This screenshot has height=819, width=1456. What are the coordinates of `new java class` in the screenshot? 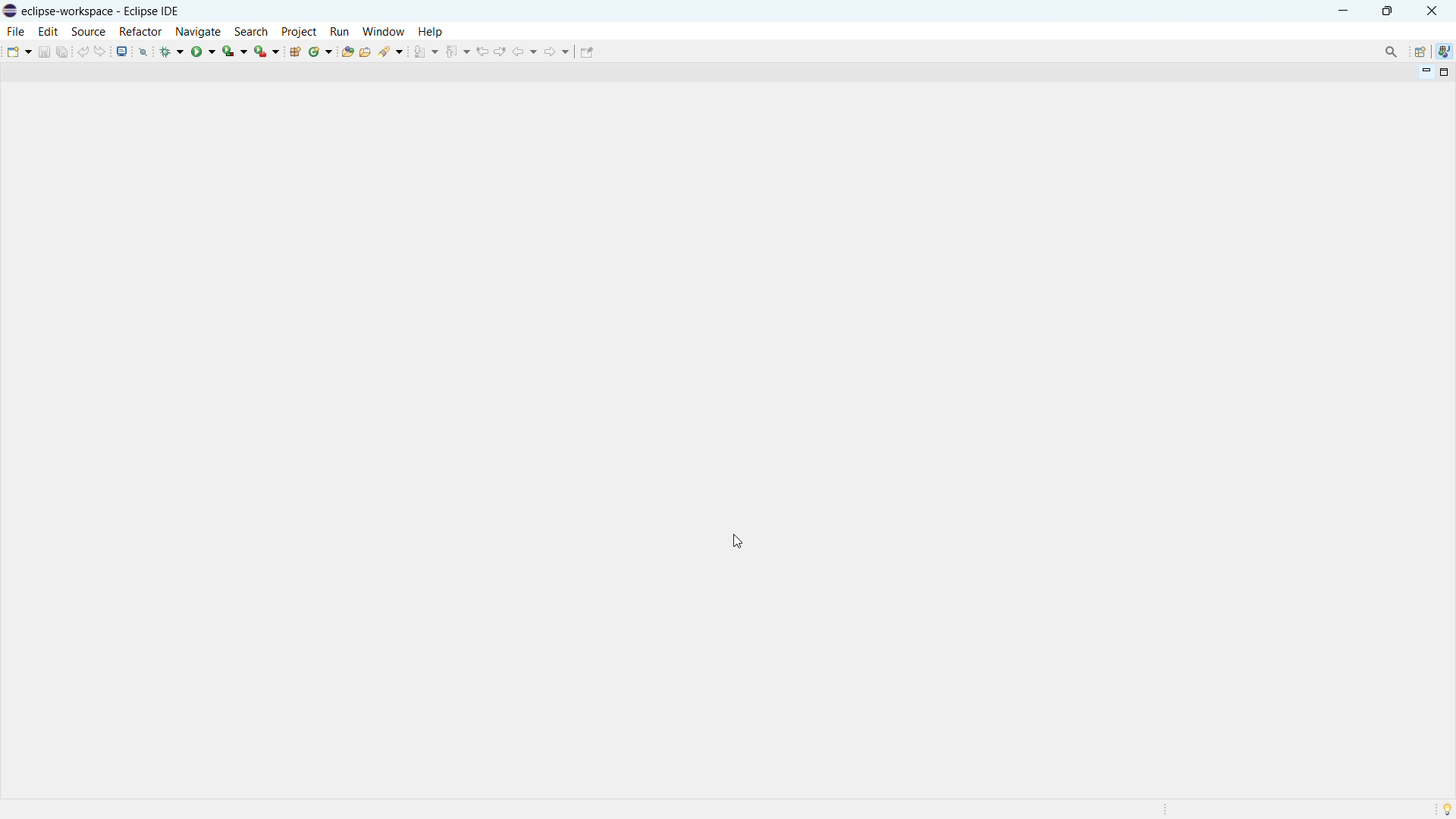 It's located at (322, 52).